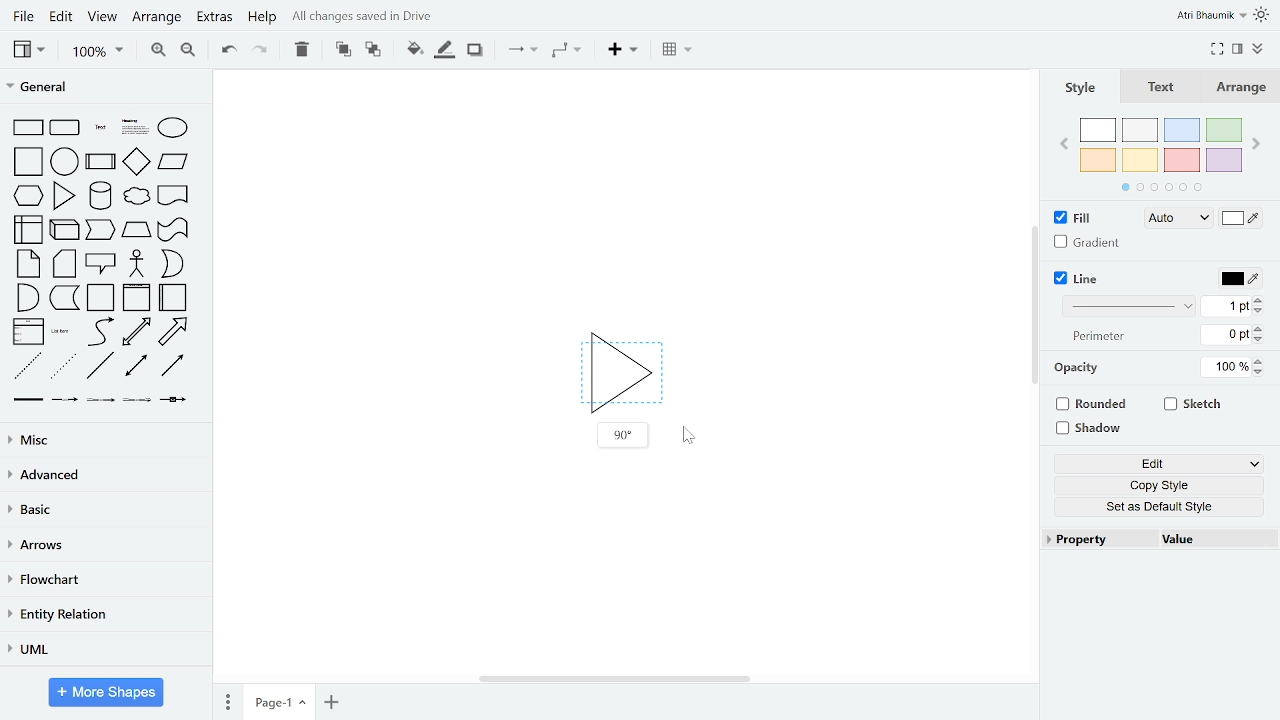 This screenshot has width=1280, height=720. Describe the element at coordinates (1262, 373) in the screenshot. I see `decrease opacity` at that location.